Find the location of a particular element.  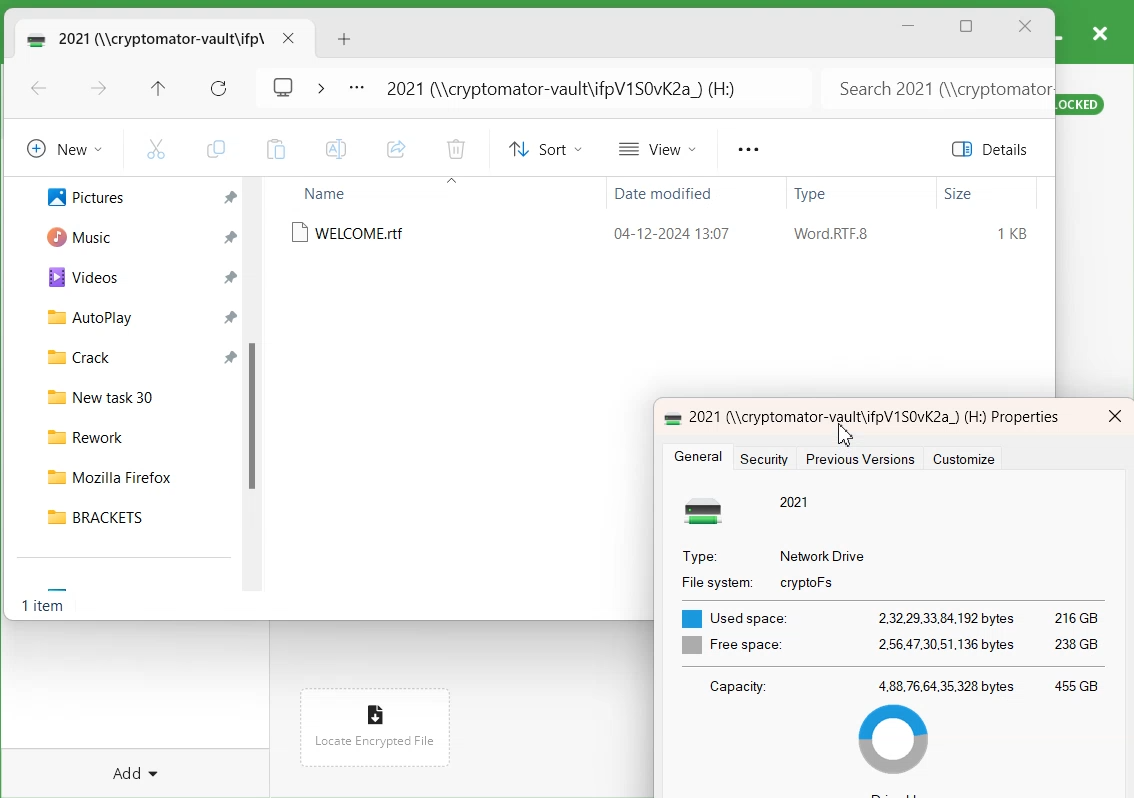

More is located at coordinates (356, 89).